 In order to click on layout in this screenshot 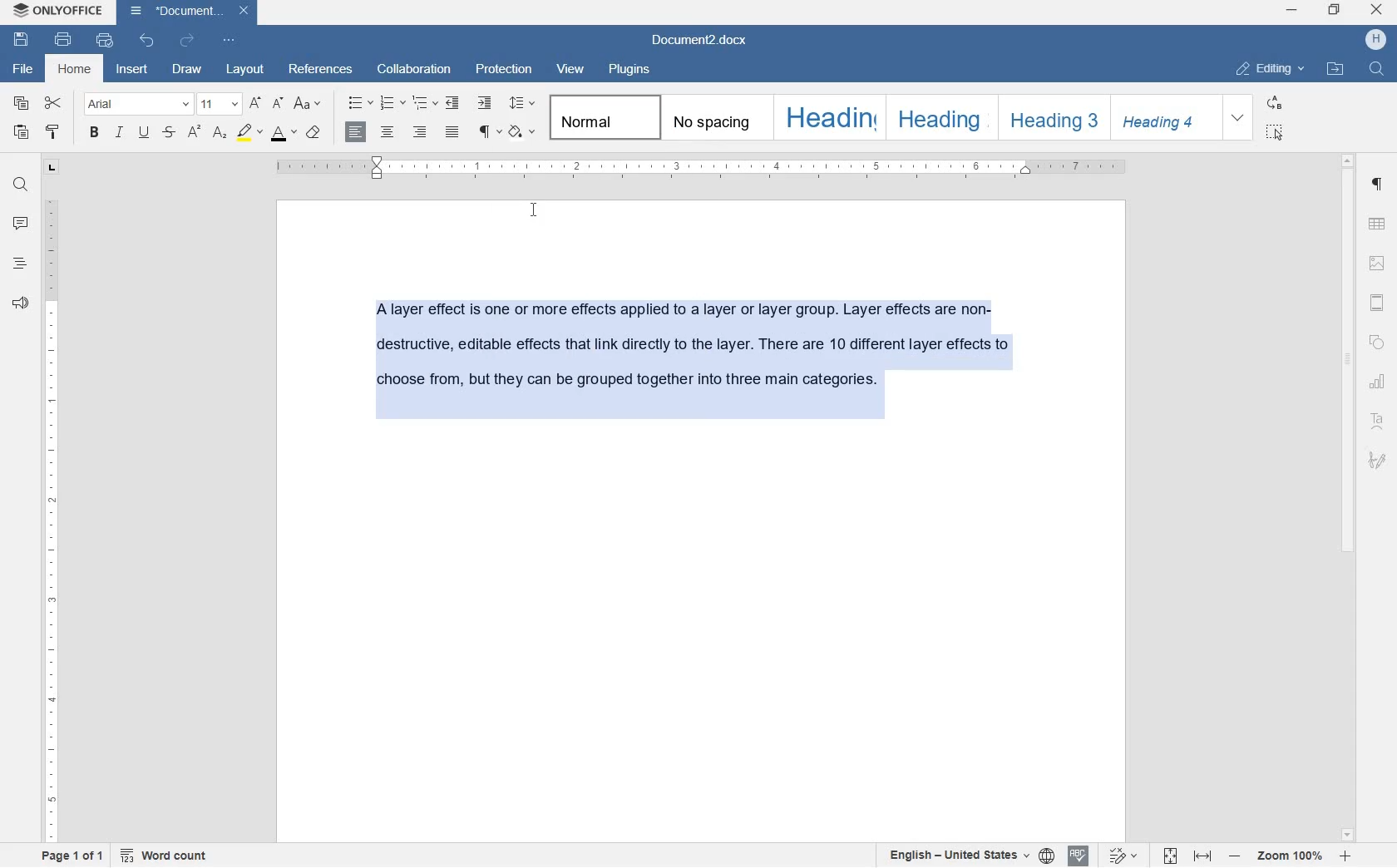, I will do `click(243, 68)`.